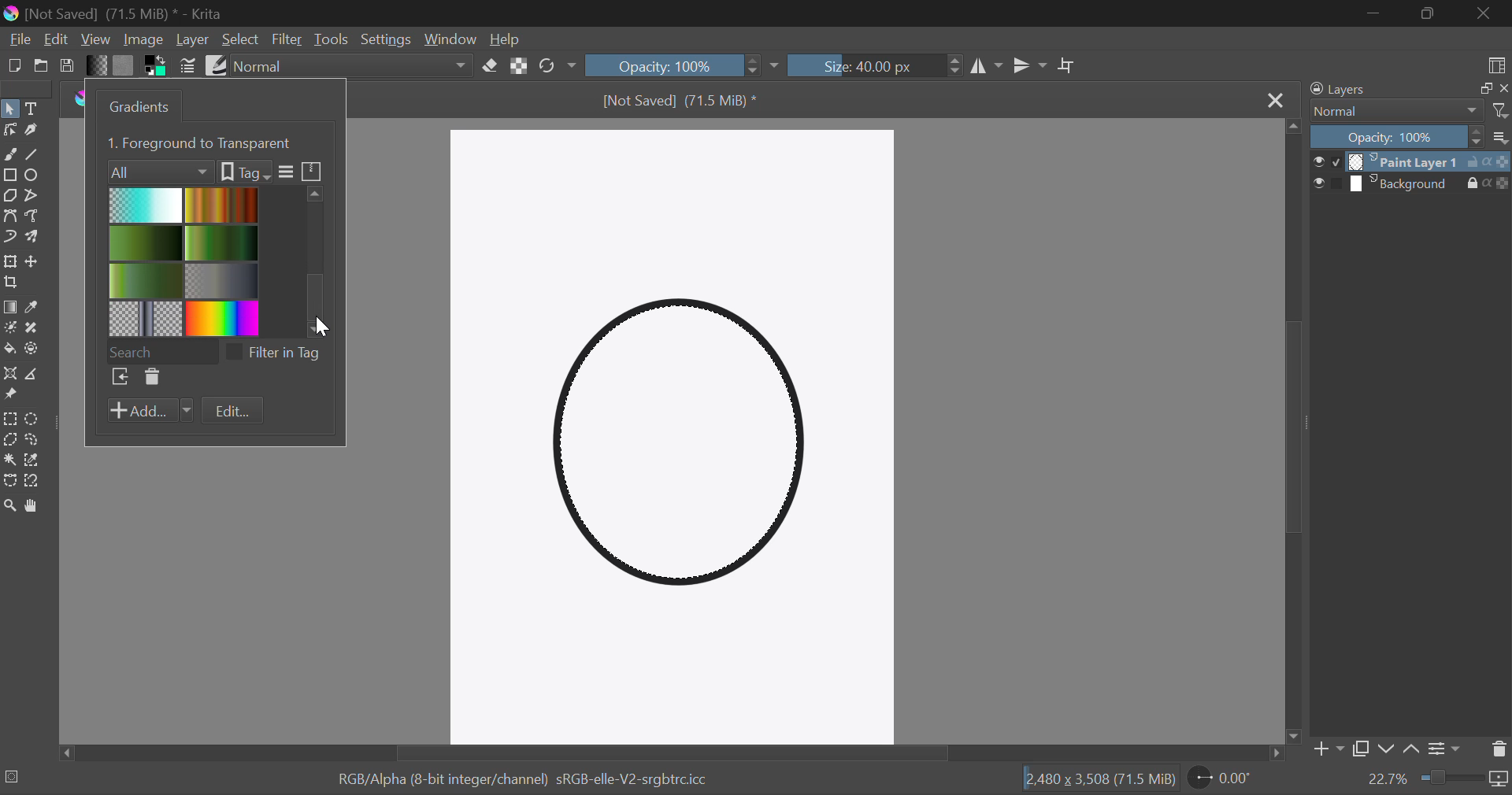 The image size is (1512, 795). I want to click on Settings, so click(1447, 749).